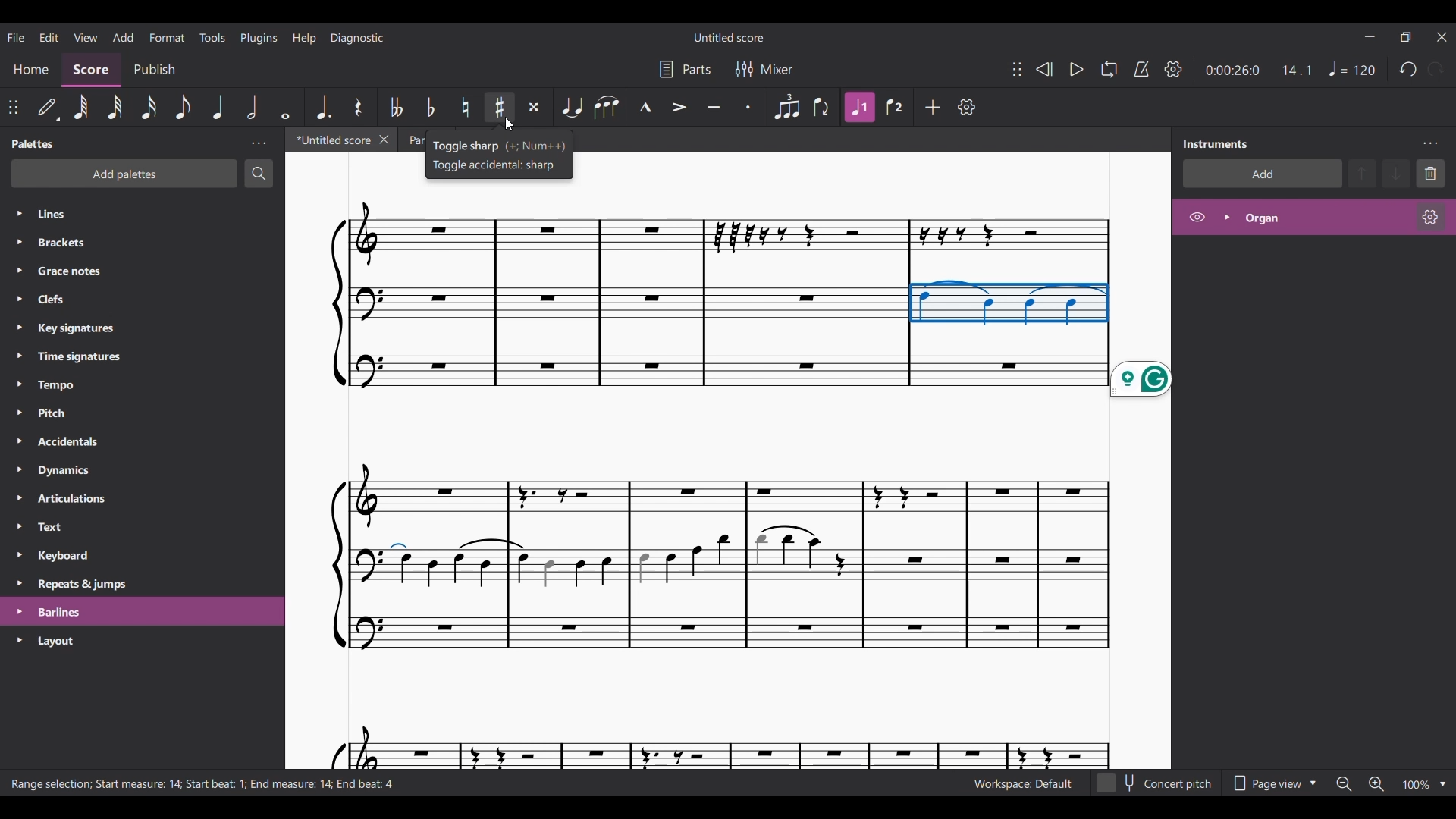 The image size is (1456, 819). I want to click on Slur, so click(607, 108).